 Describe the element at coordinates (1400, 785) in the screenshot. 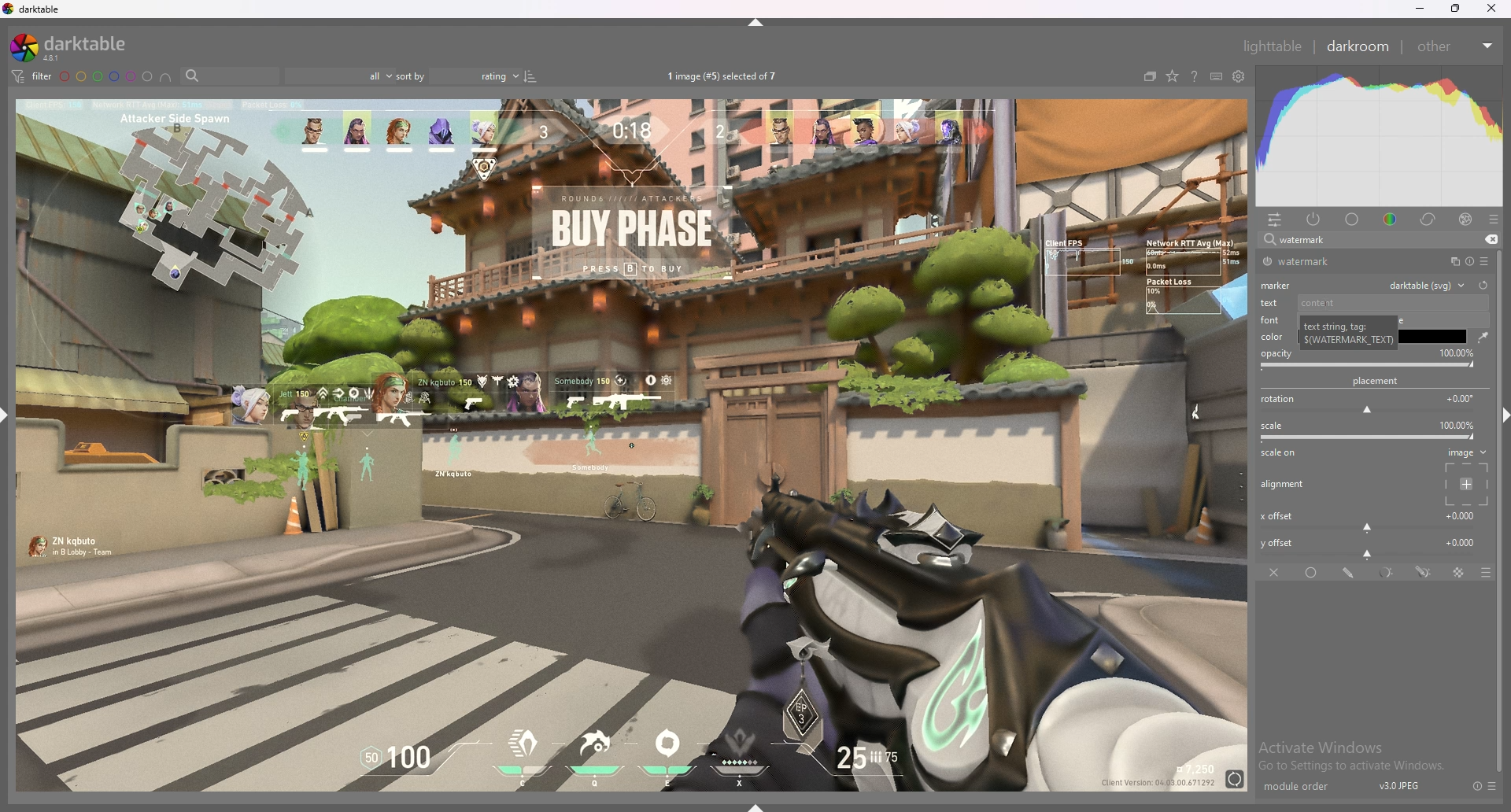

I see `version` at that location.